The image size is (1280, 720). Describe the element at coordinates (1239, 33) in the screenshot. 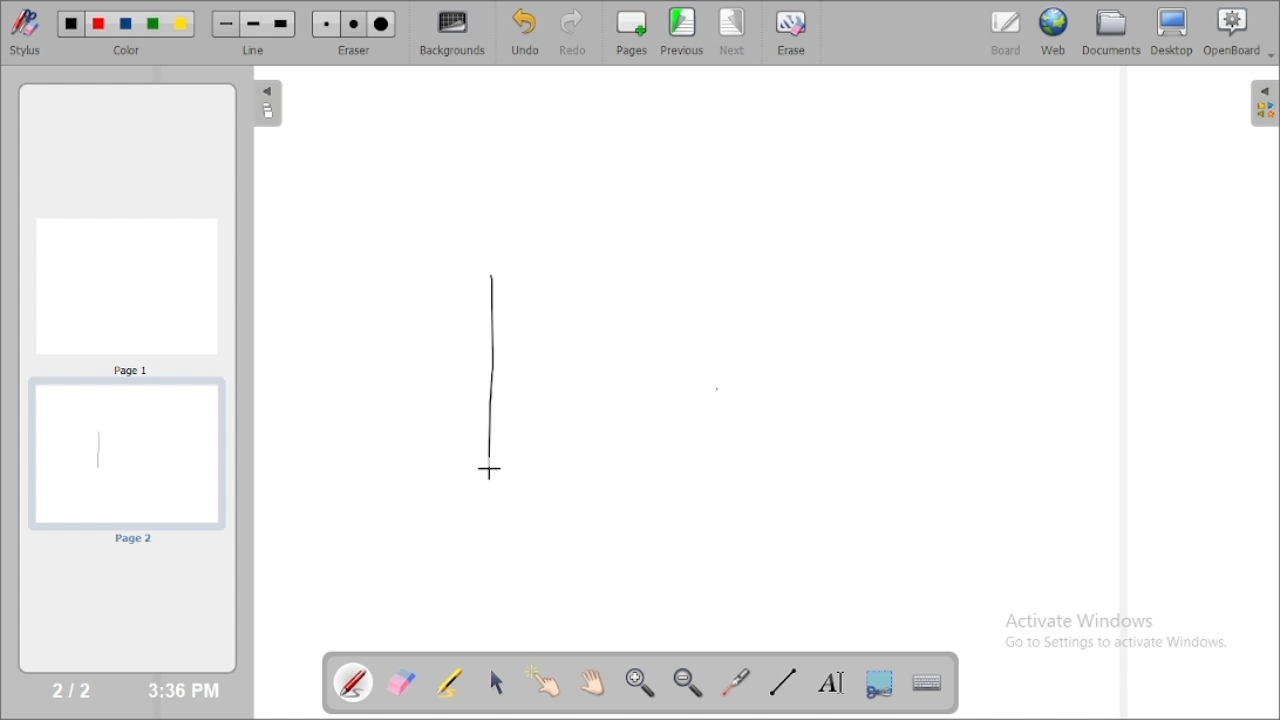

I see `openboard` at that location.